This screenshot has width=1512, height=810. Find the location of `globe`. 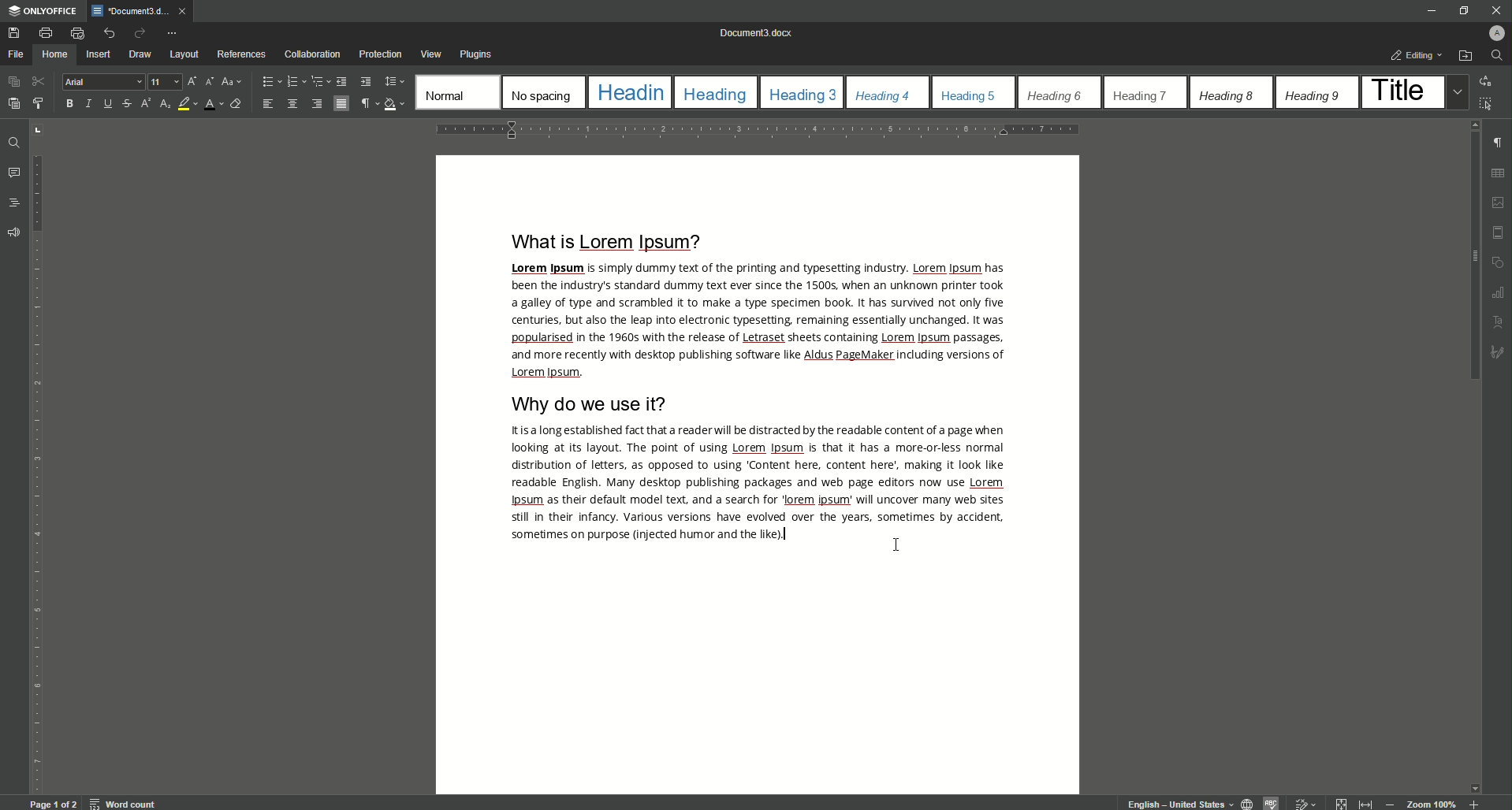

globe is located at coordinates (1246, 802).